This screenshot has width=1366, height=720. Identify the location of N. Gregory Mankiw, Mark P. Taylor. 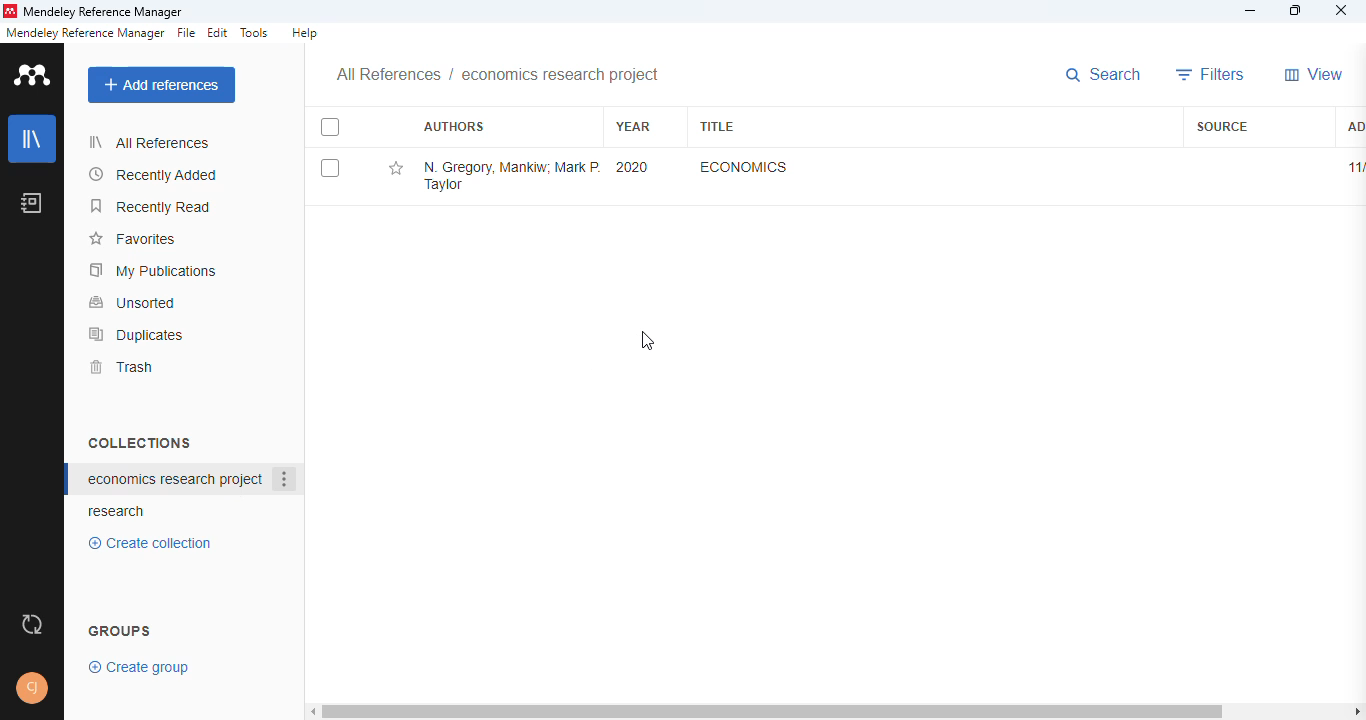
(511, 176).